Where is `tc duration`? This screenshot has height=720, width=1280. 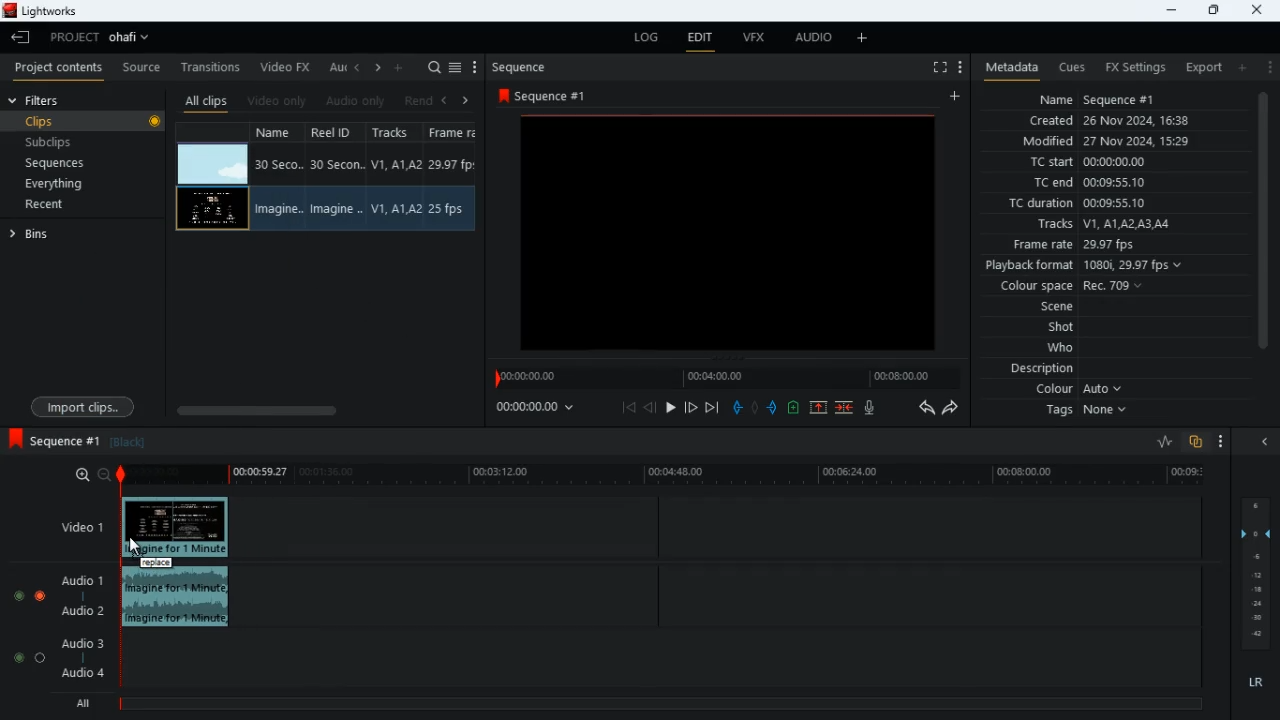 tc duration is located at coordinates (1091, 203).